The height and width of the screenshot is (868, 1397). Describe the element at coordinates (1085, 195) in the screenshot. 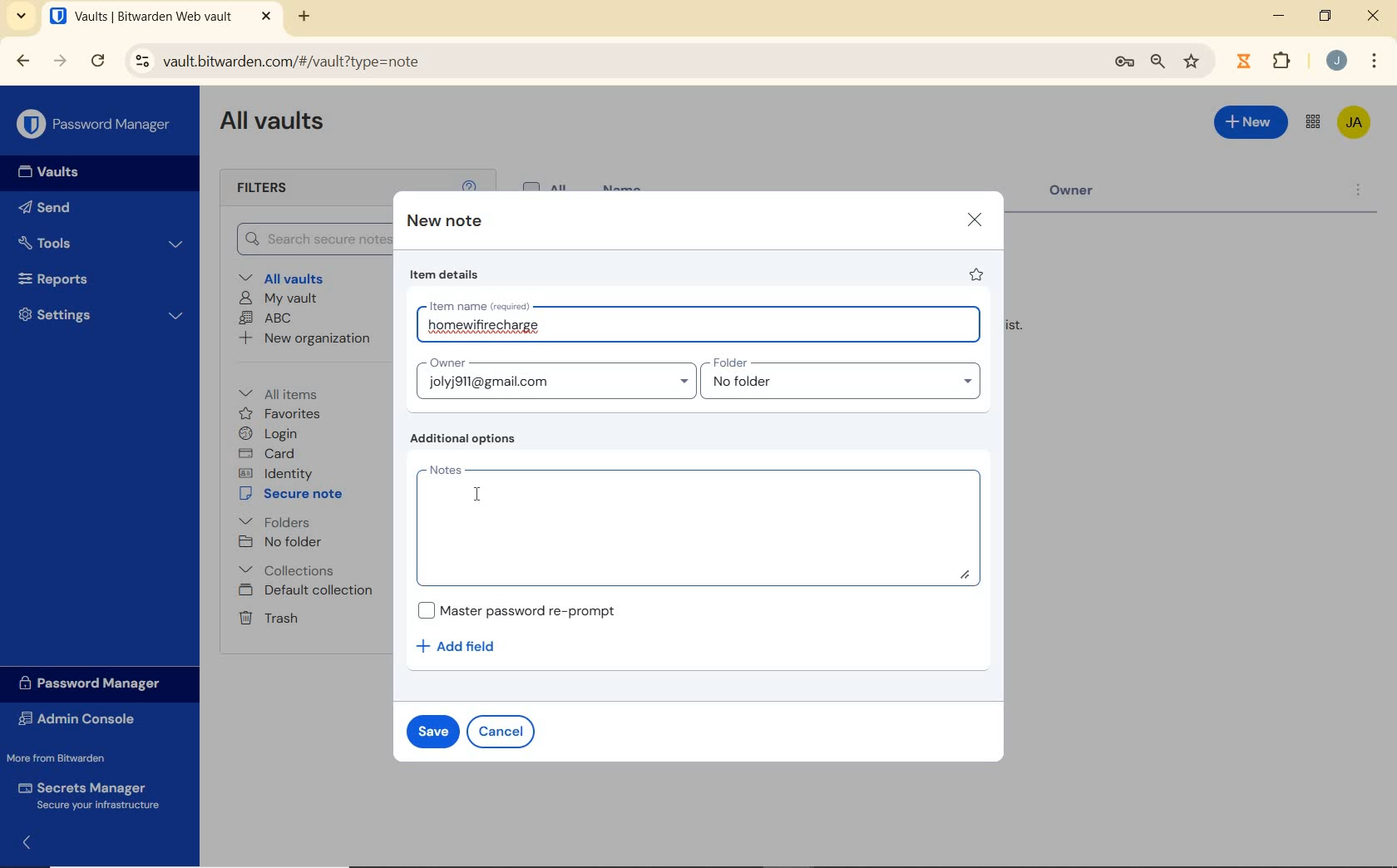

I see `Owner` at that location.